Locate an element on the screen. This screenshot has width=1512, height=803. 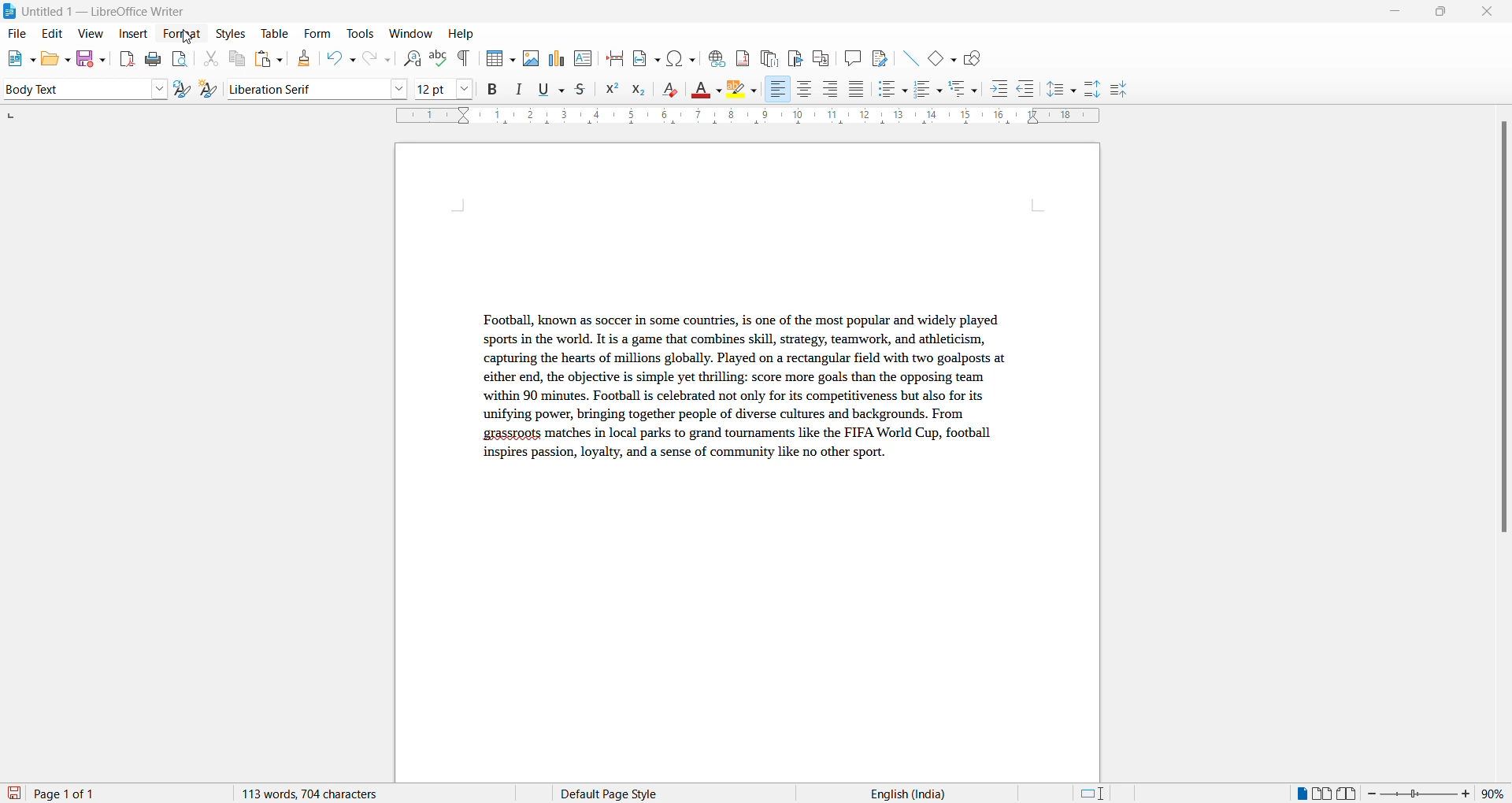
toggle formatting marks is located at coordinates (465, 58).